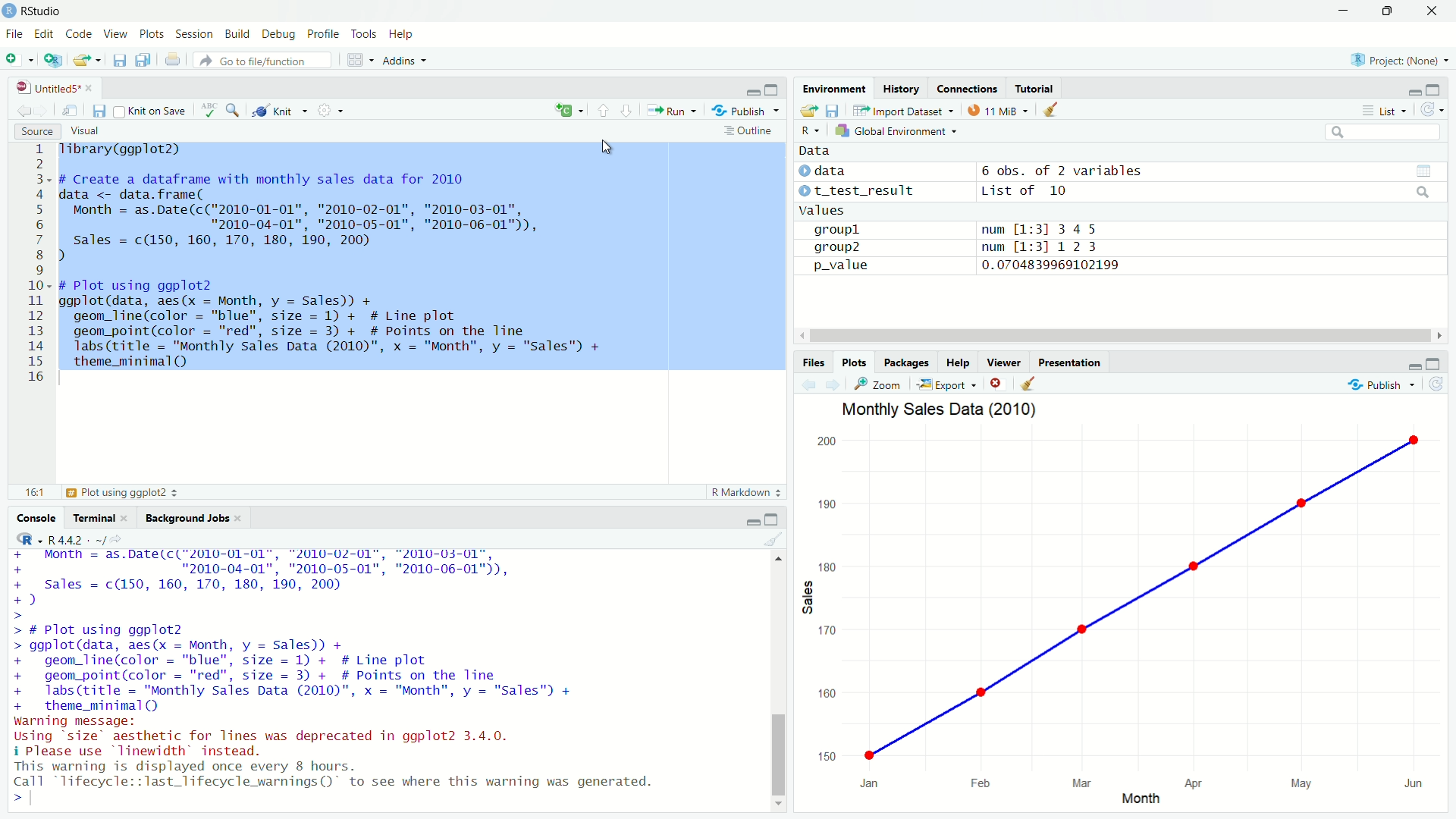 Image resolution: width=1456 pixels, height=819 pixels. What do you see at coordinates (1413, 89) in the screenshot?
I see `minimise` at bounding box center [1413, 89].